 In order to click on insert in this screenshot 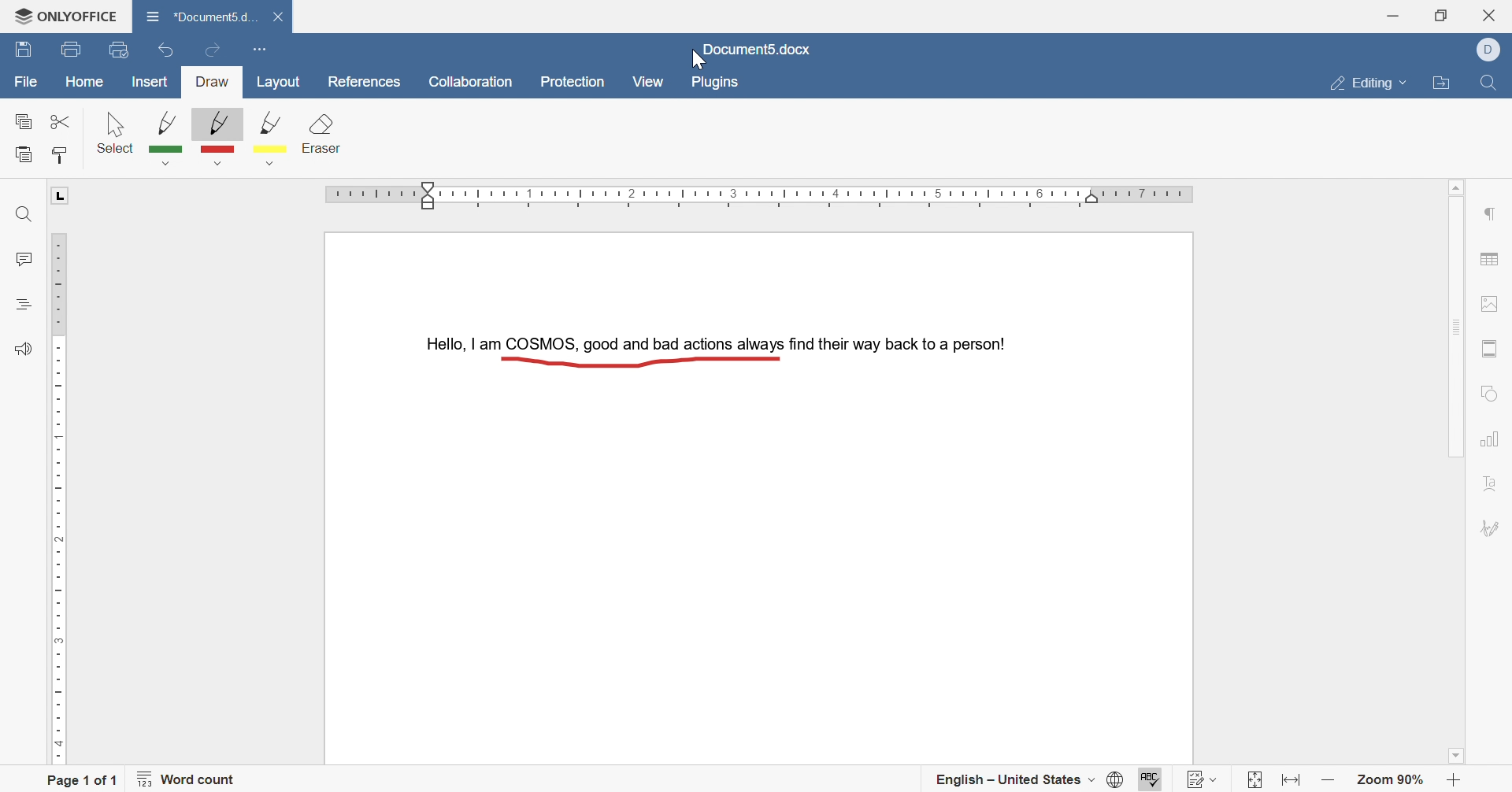, I will do `click(150, 83)`.